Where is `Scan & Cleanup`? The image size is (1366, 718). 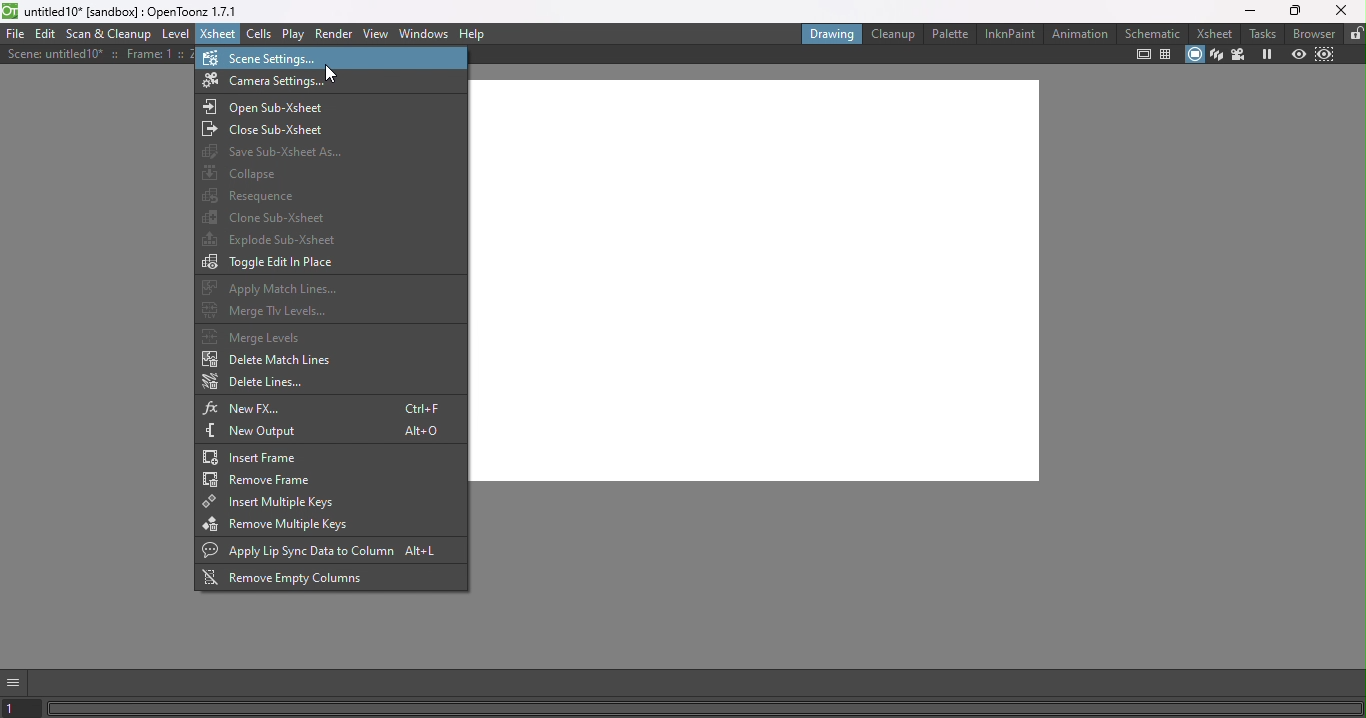
Scan & Cleanup is located at coordinates (113, 34).